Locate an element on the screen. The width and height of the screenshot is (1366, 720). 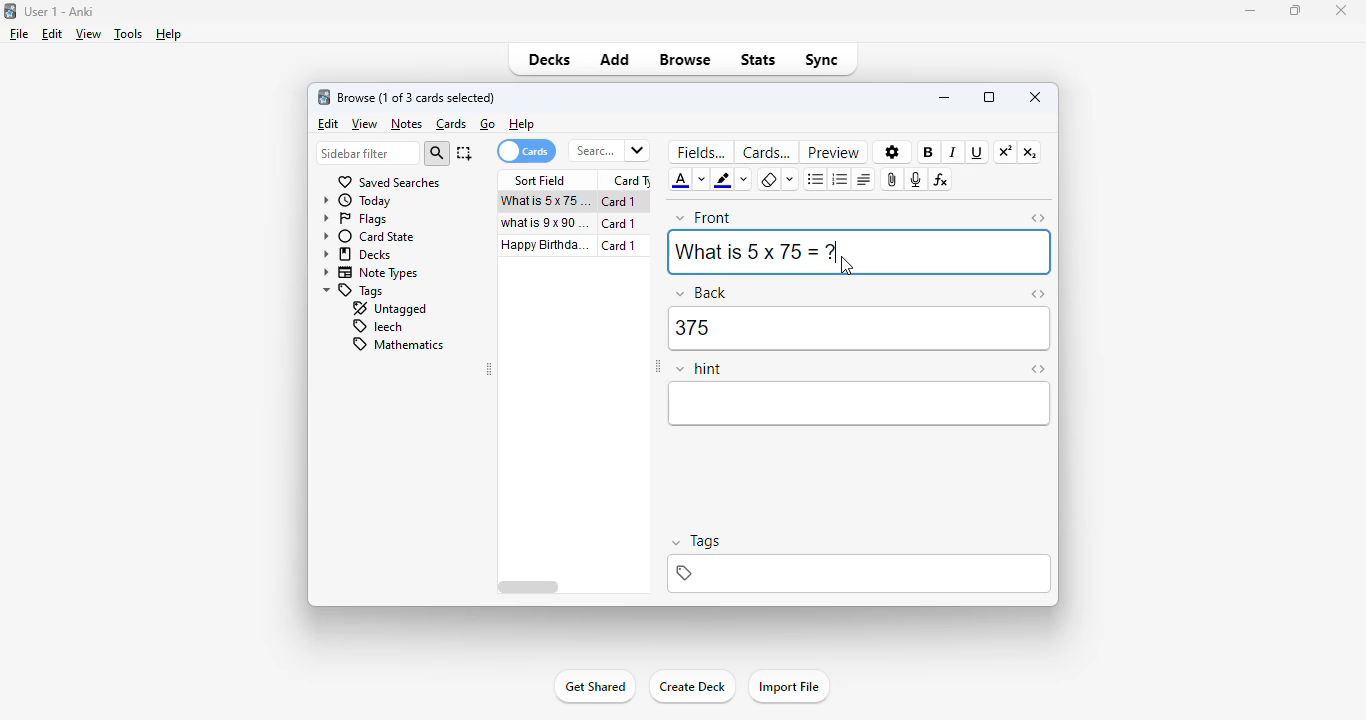
leech is located at coordinates (377, 327).